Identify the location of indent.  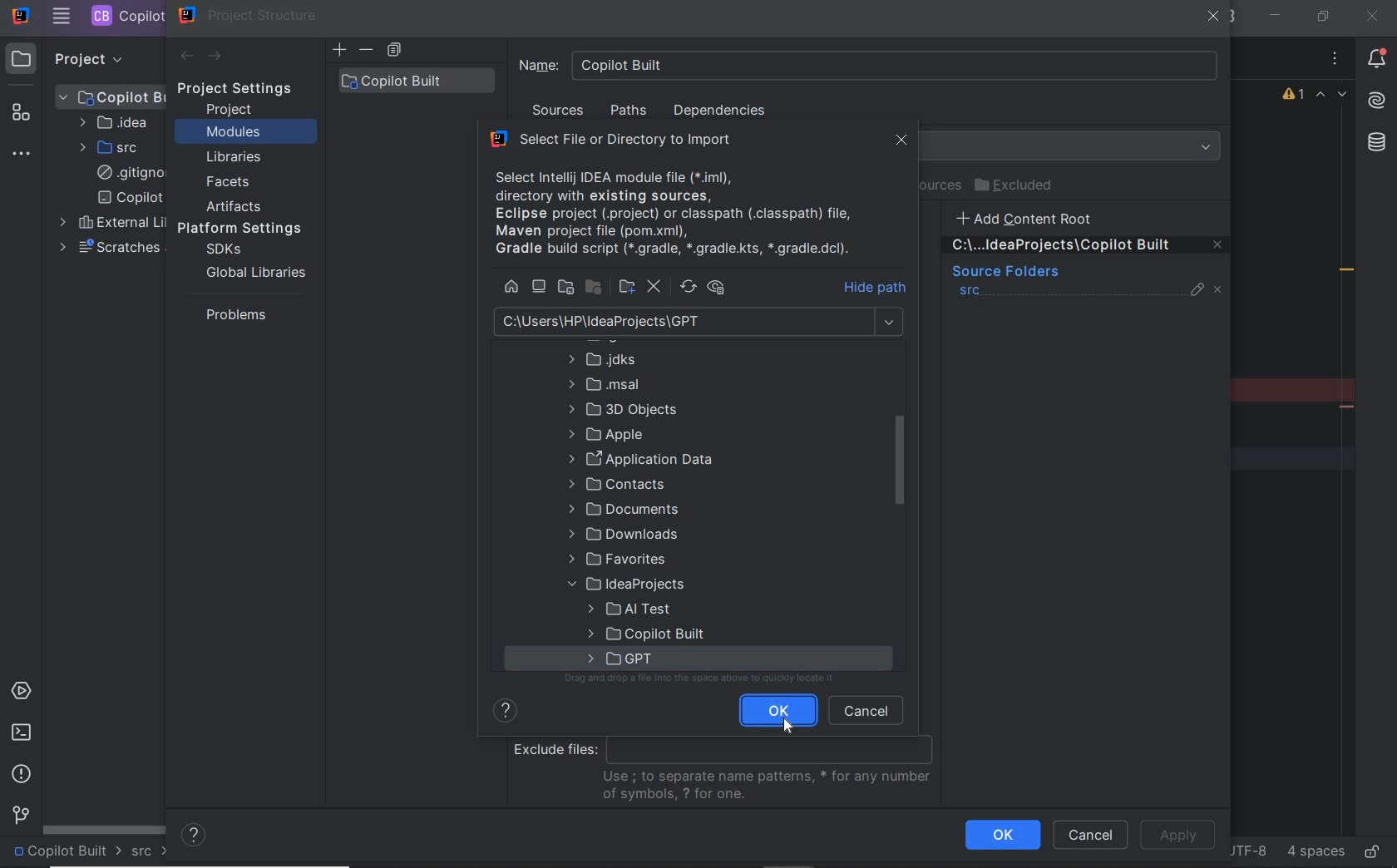
(1314, 852).